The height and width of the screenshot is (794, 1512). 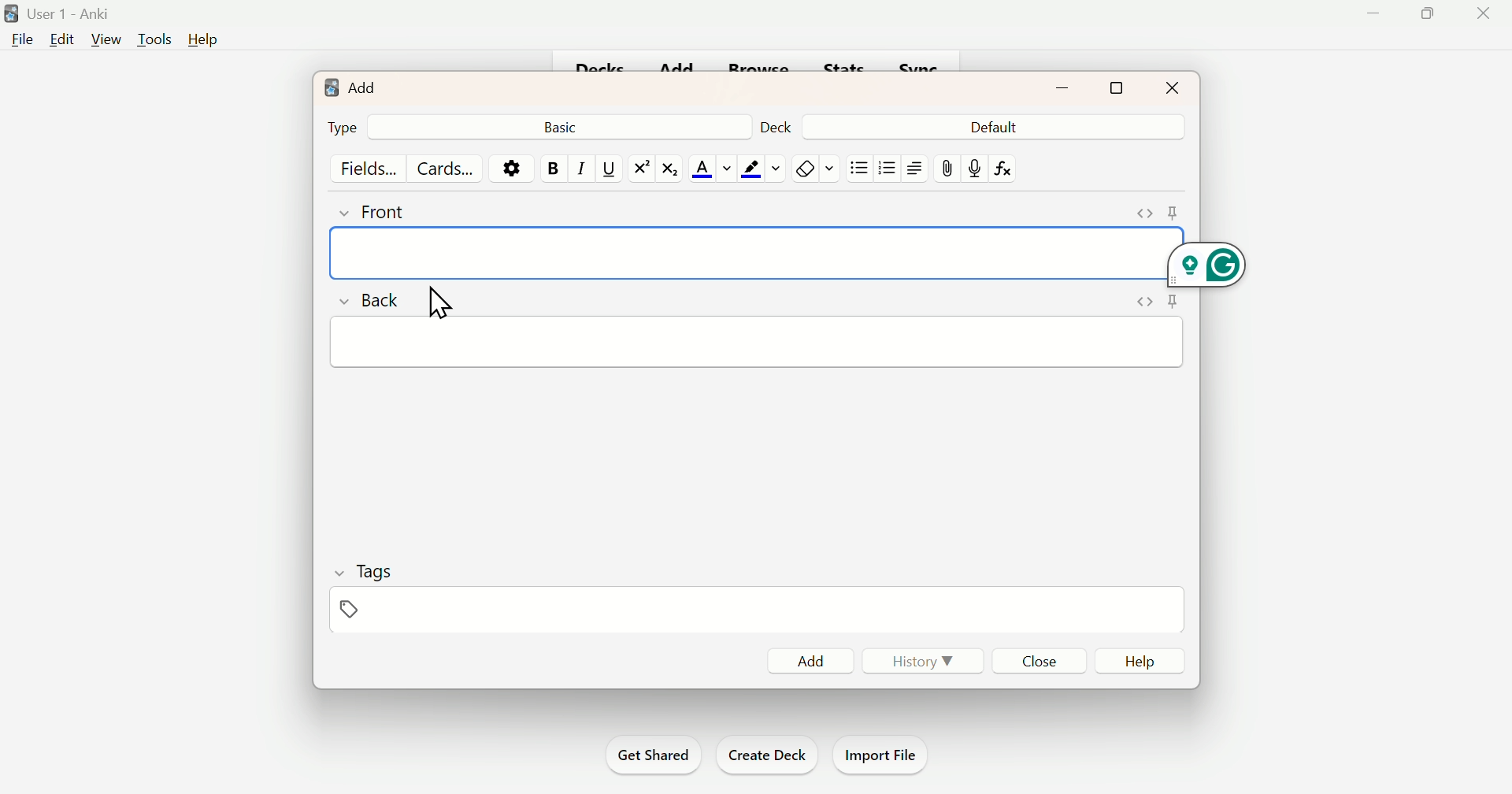 I want to click on Text Highlighting Color, so click(x=762, y=169).